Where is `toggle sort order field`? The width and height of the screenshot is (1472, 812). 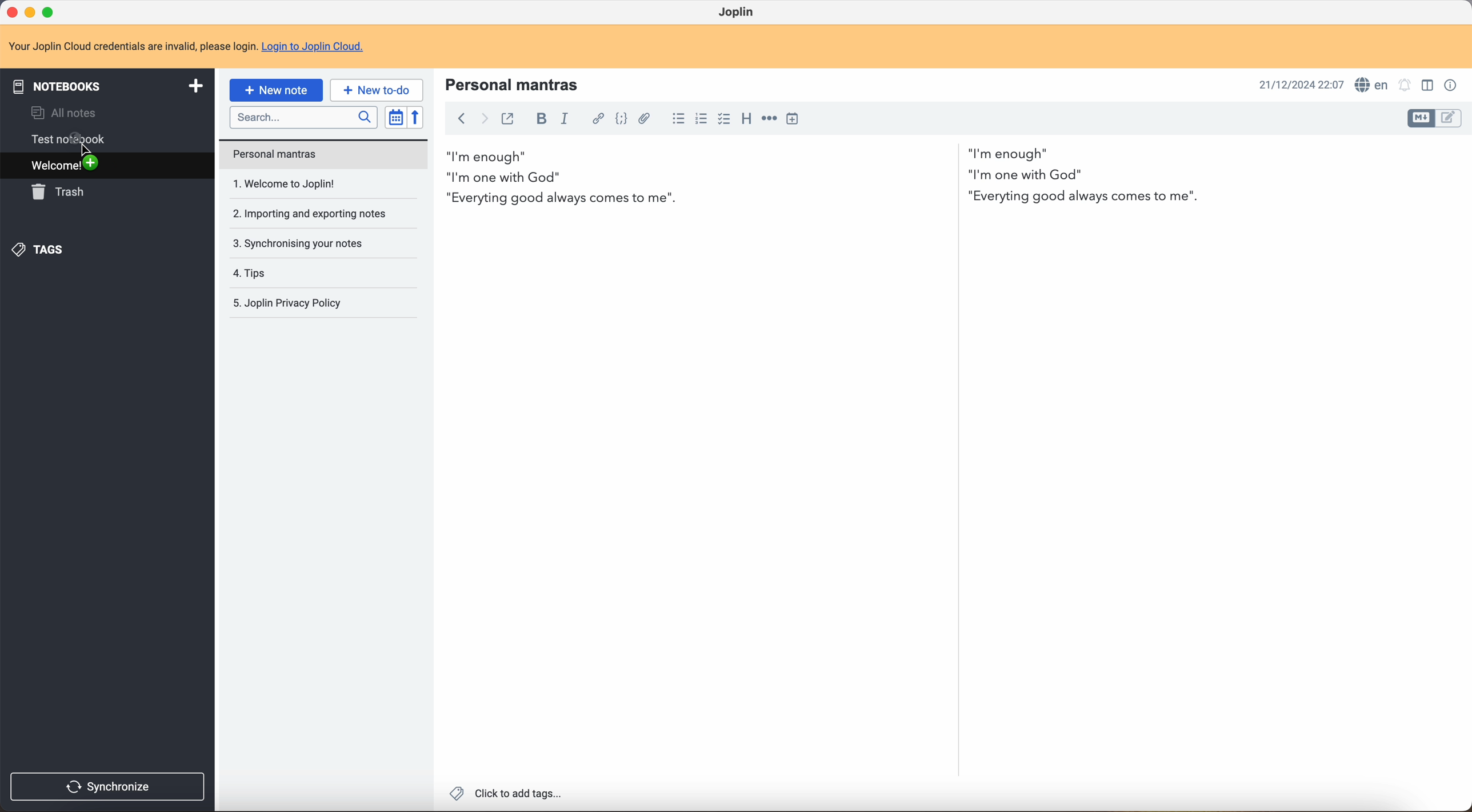 toggle sort order field is located at coordinates (394, 117).